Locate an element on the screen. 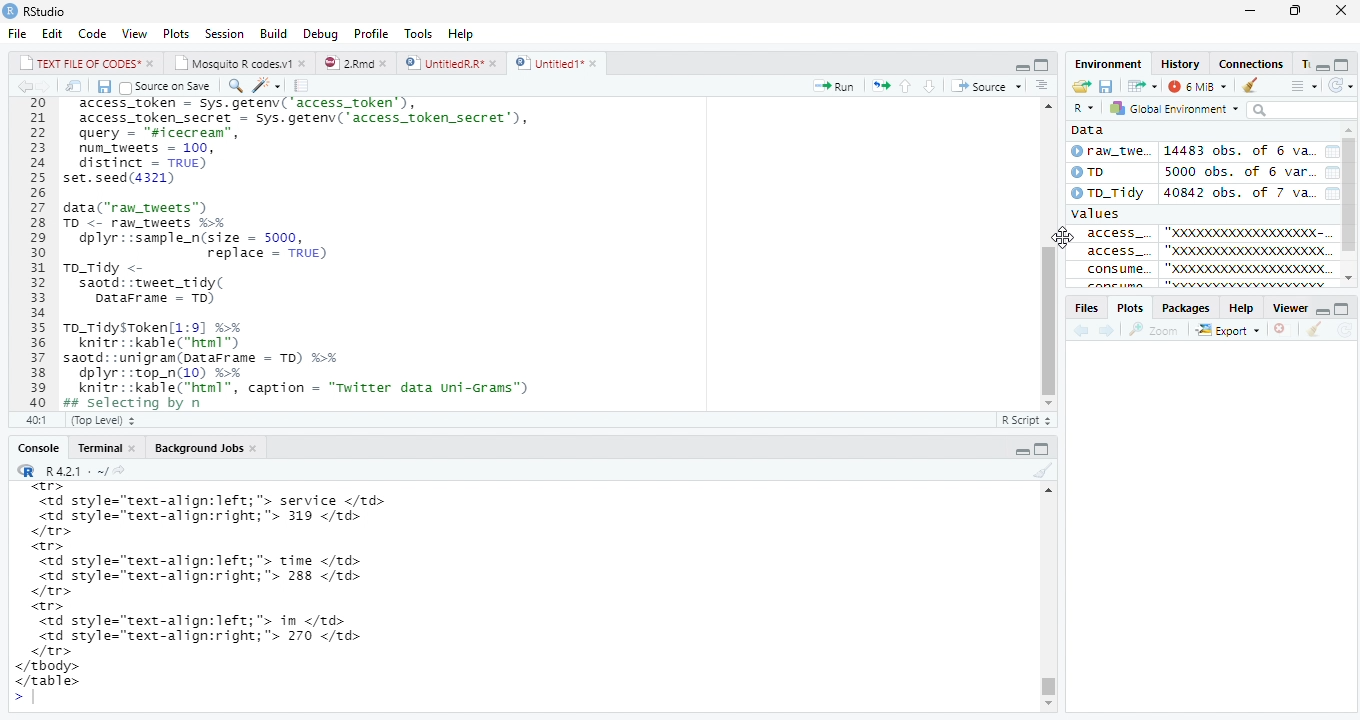  show document outline is located at coordinates (1046, 84).